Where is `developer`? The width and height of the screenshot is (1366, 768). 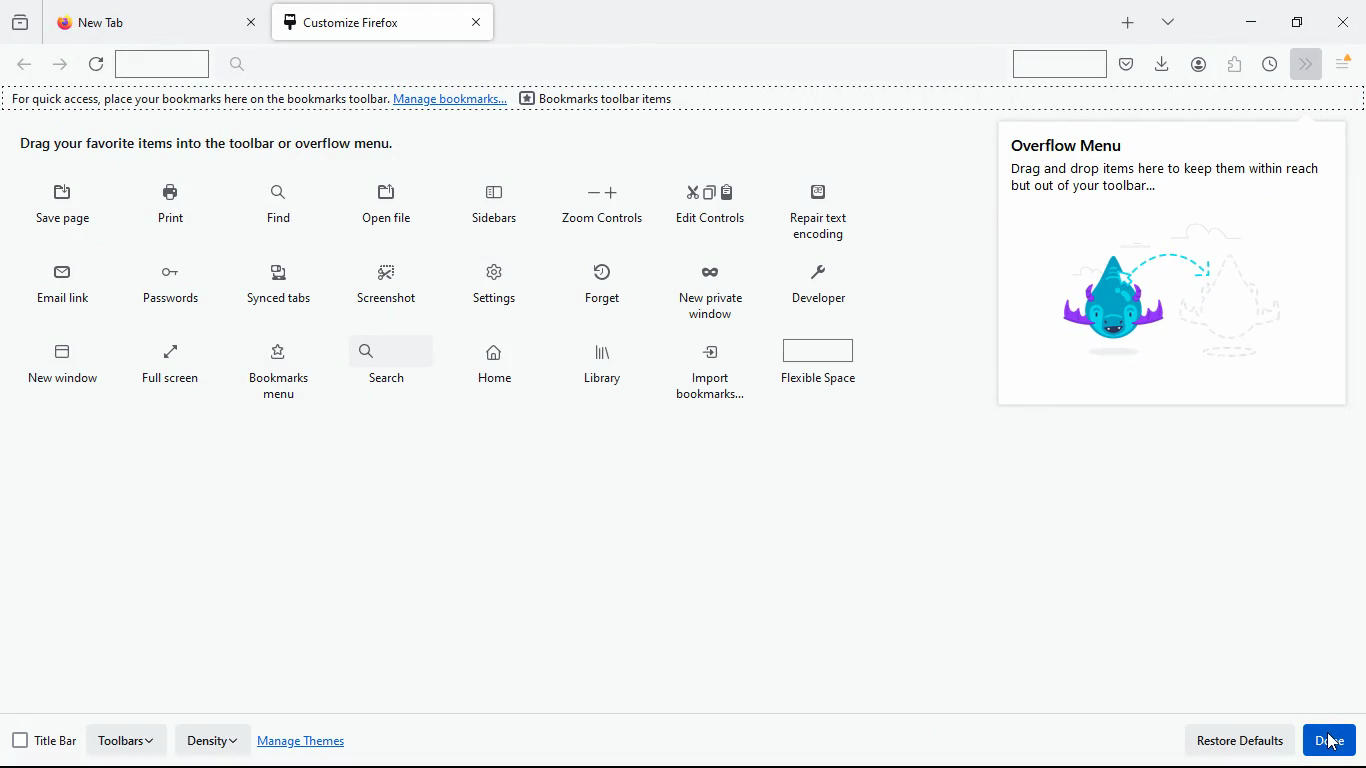
developer is located at coordinates (65, 368).